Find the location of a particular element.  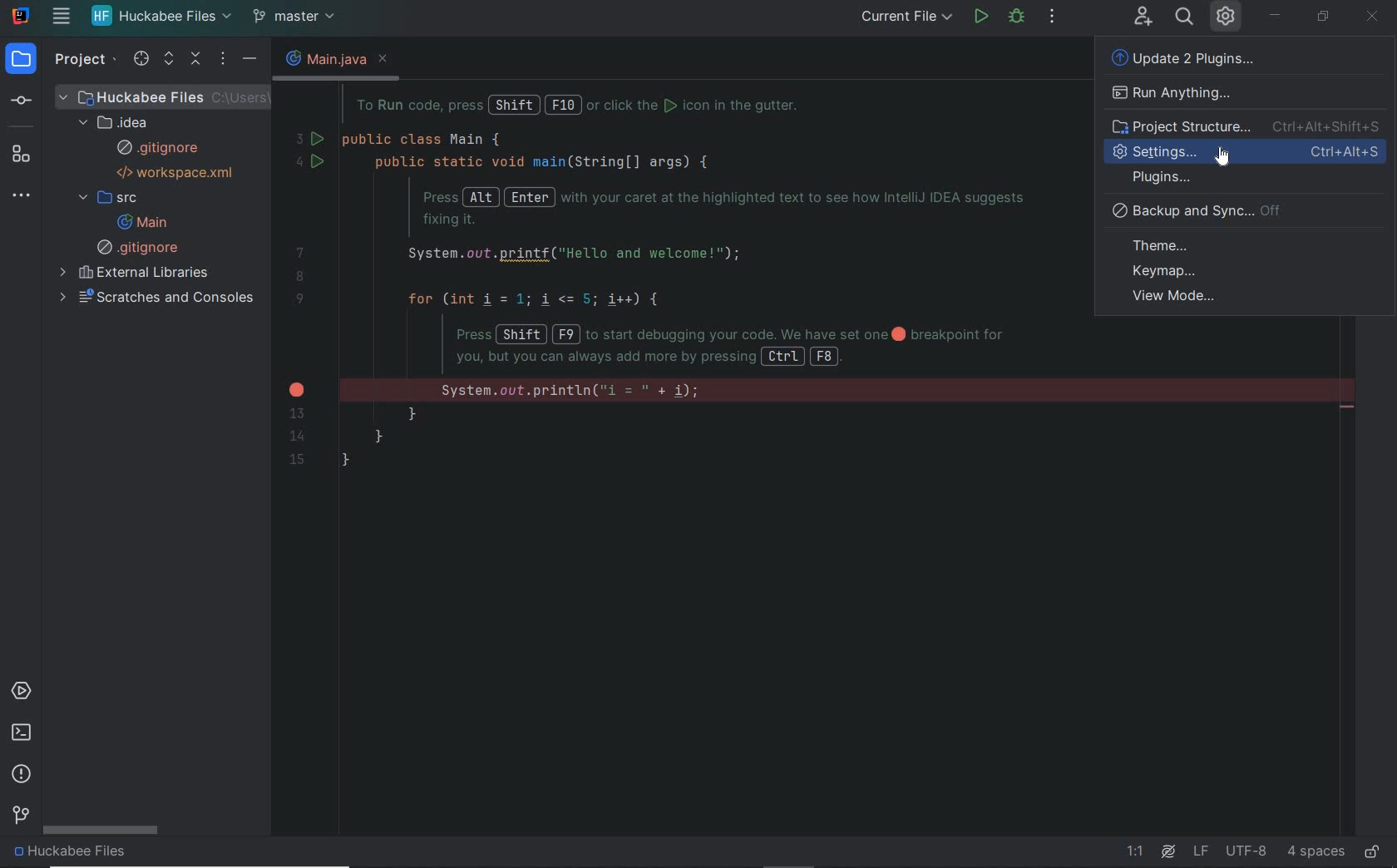

minimize is located at coordinates (1276, 12).